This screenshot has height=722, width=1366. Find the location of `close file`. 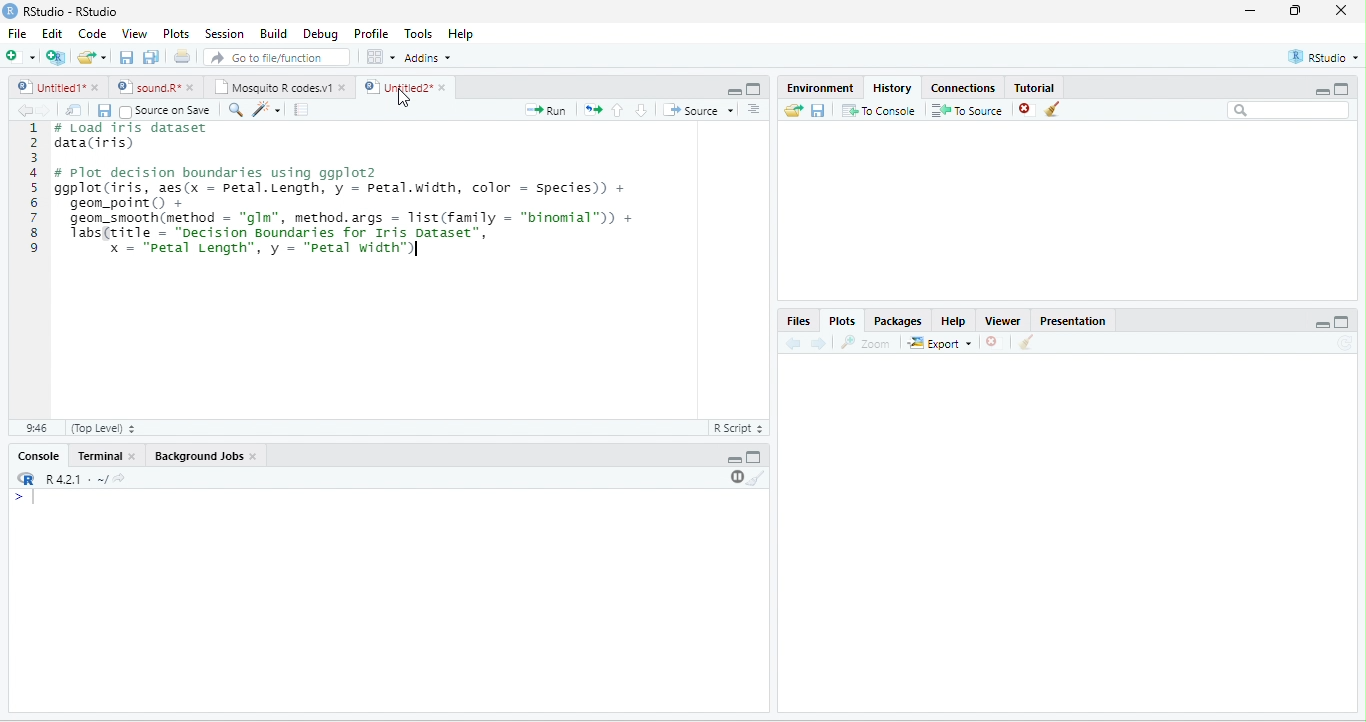

close file is located at coordinates (1027, 110).